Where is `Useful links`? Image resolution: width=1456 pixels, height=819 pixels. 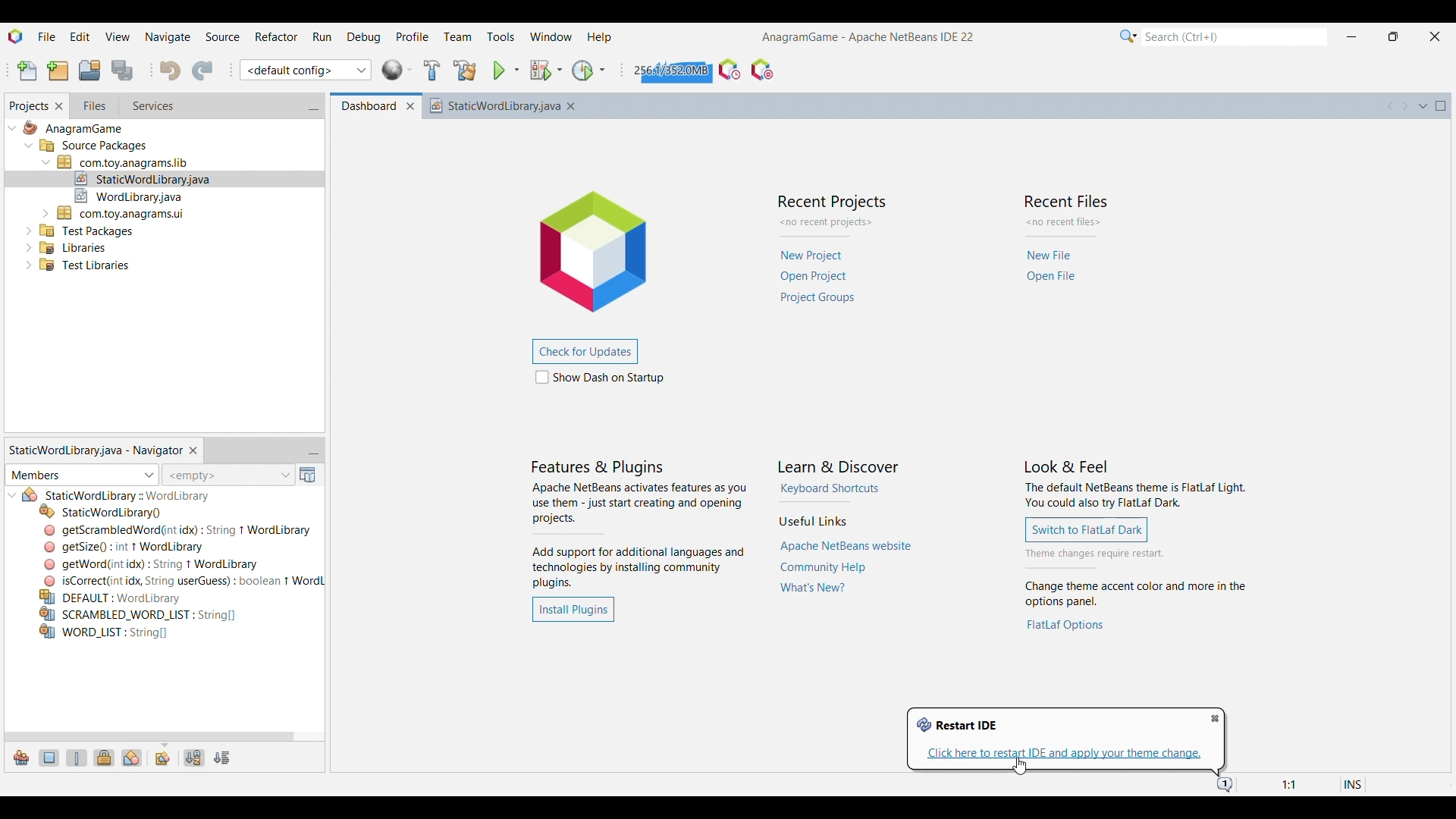 Useful links is located at coordinates (846, 568).